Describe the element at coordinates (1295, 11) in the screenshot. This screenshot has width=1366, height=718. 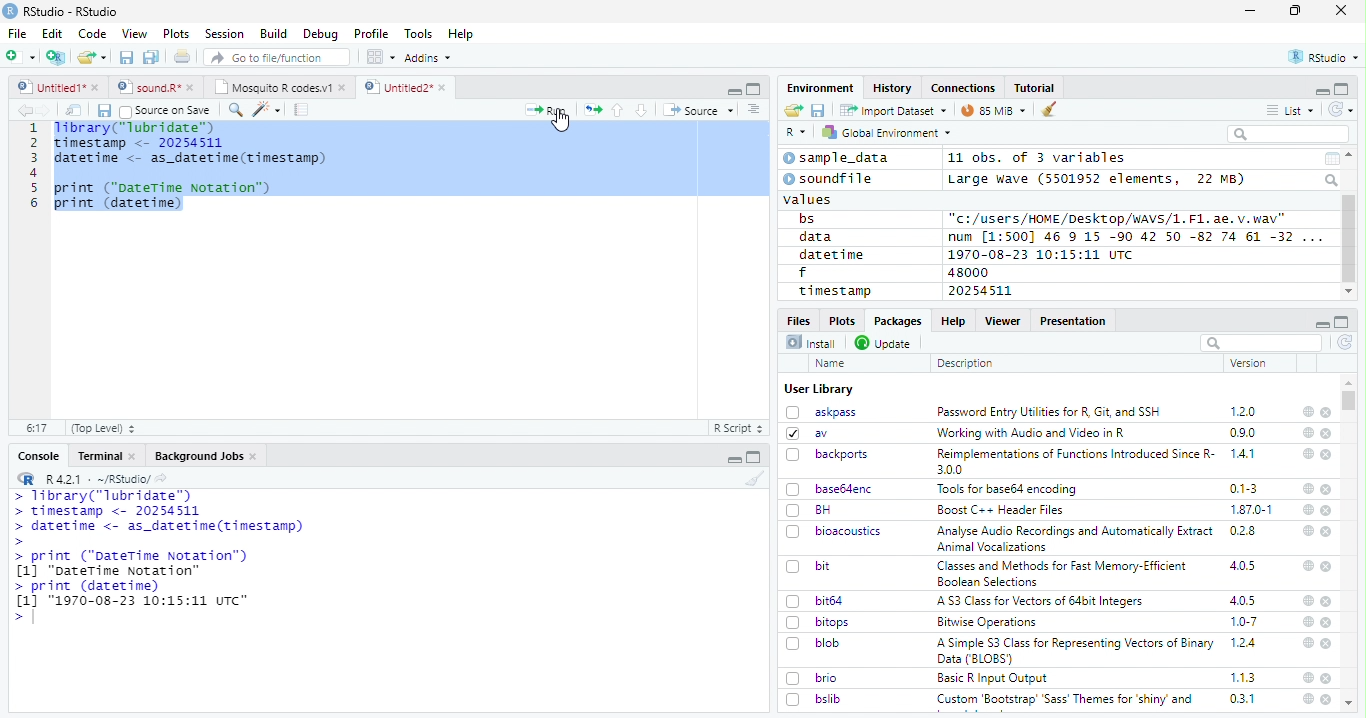
I see `maximize` at that location.